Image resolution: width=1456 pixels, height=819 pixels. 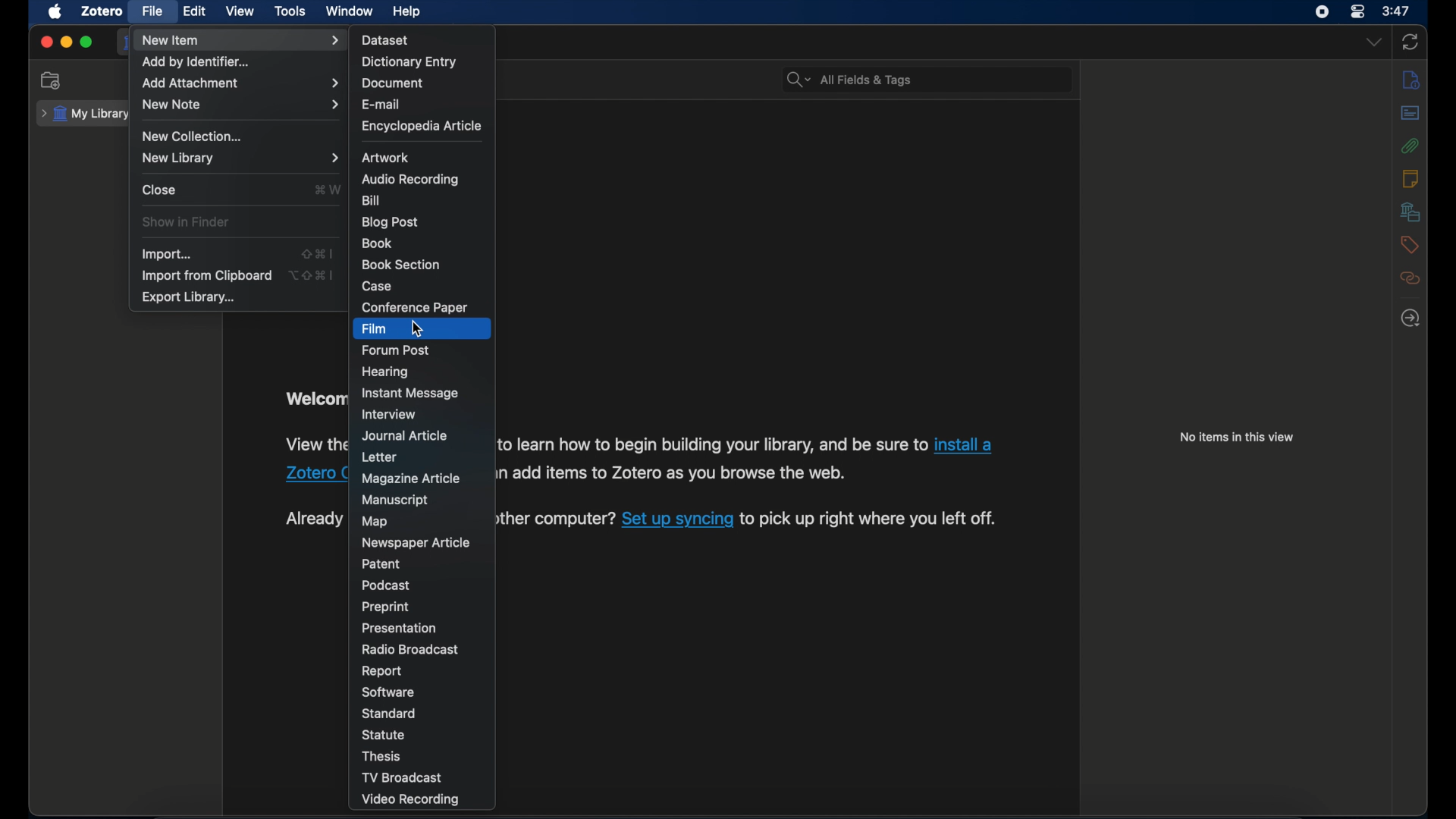 I want to click on sync, so click(x=1411, y=42).